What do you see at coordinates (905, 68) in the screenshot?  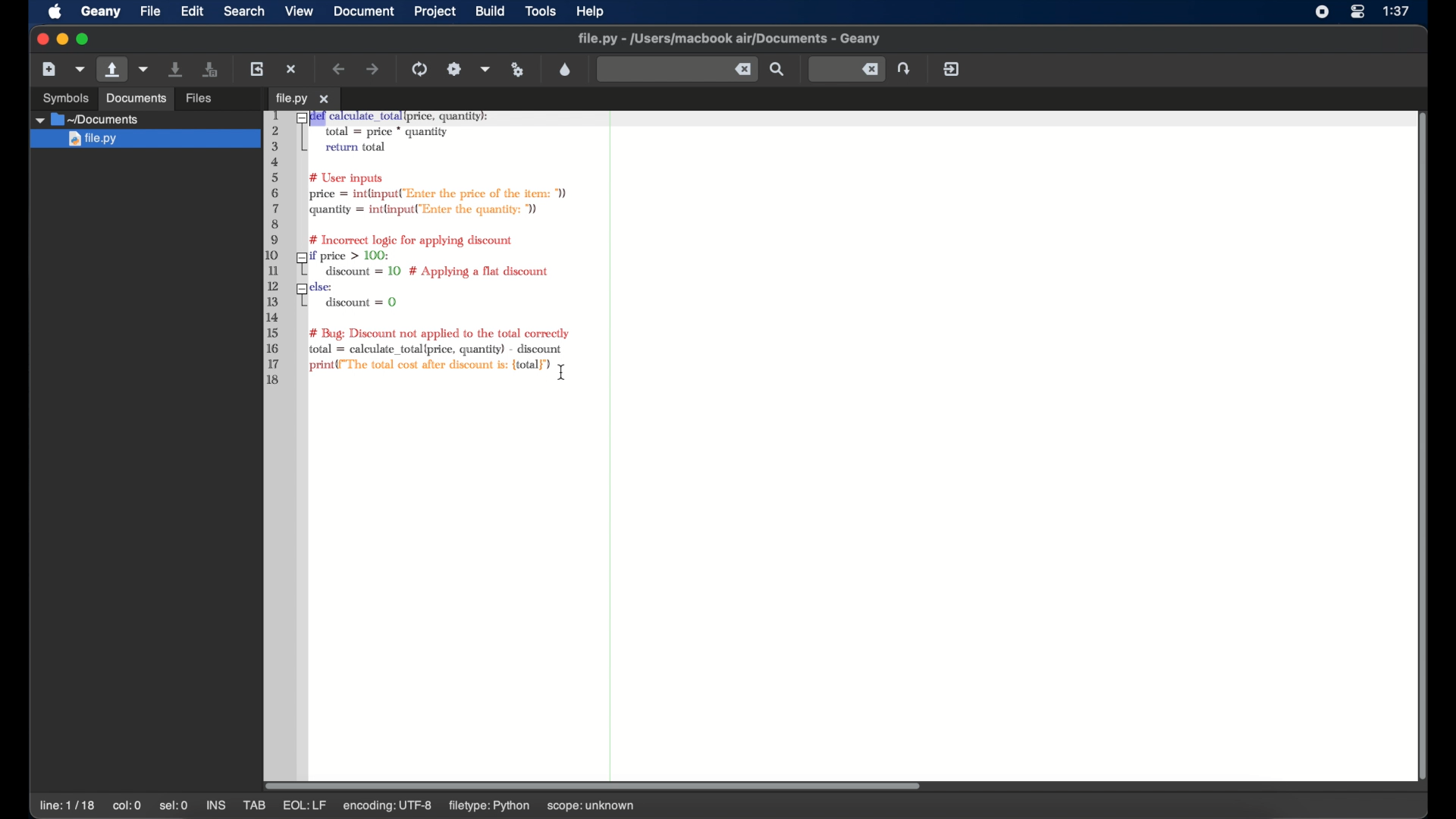 I see `jump to the entered line number` at bounding box center [905, 68].